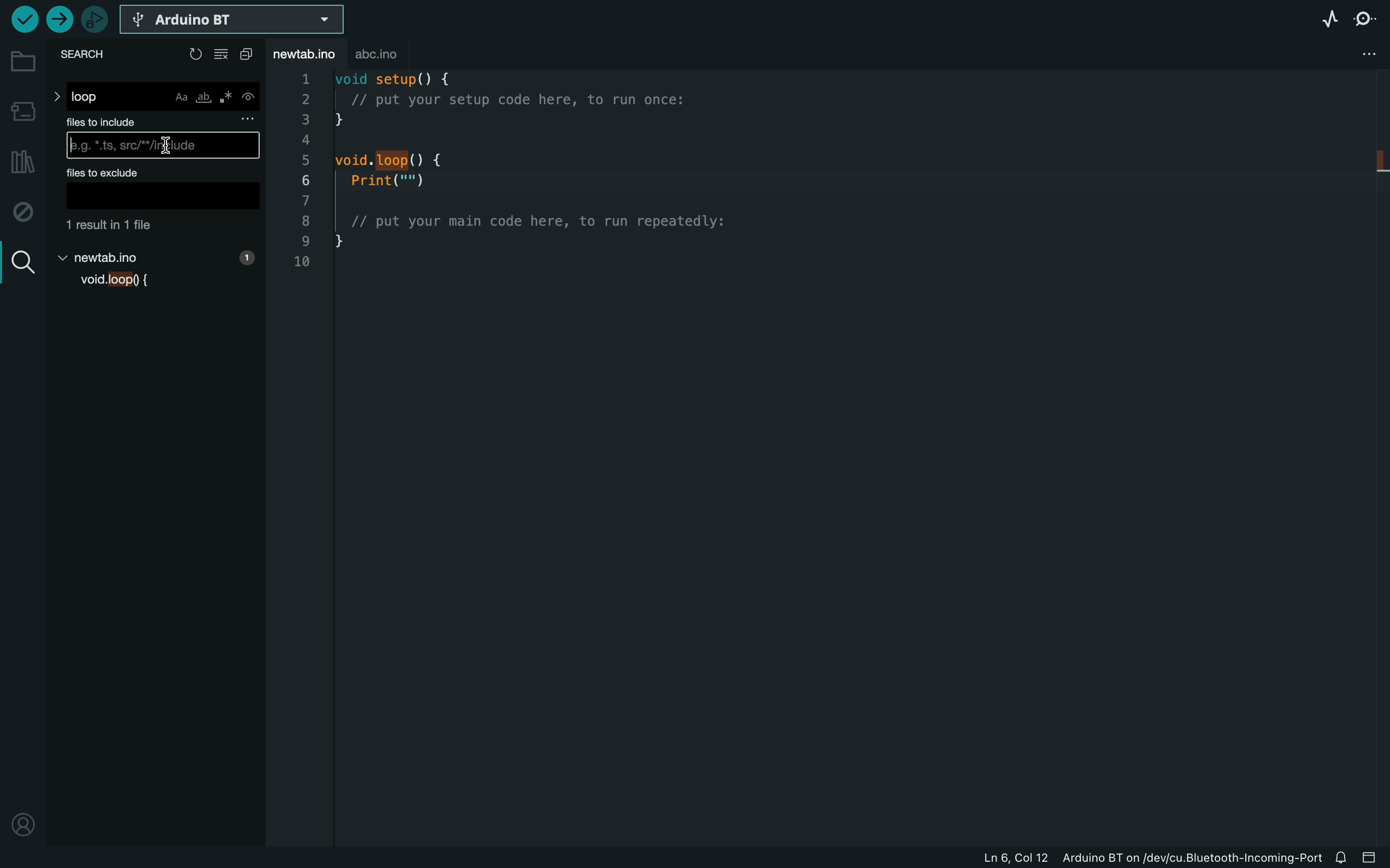 Image resolution: width=1390 pixels, height=868 pixels. Describe the element at coordinates (24, 62) in the screenshot. I see `folder` at that location.